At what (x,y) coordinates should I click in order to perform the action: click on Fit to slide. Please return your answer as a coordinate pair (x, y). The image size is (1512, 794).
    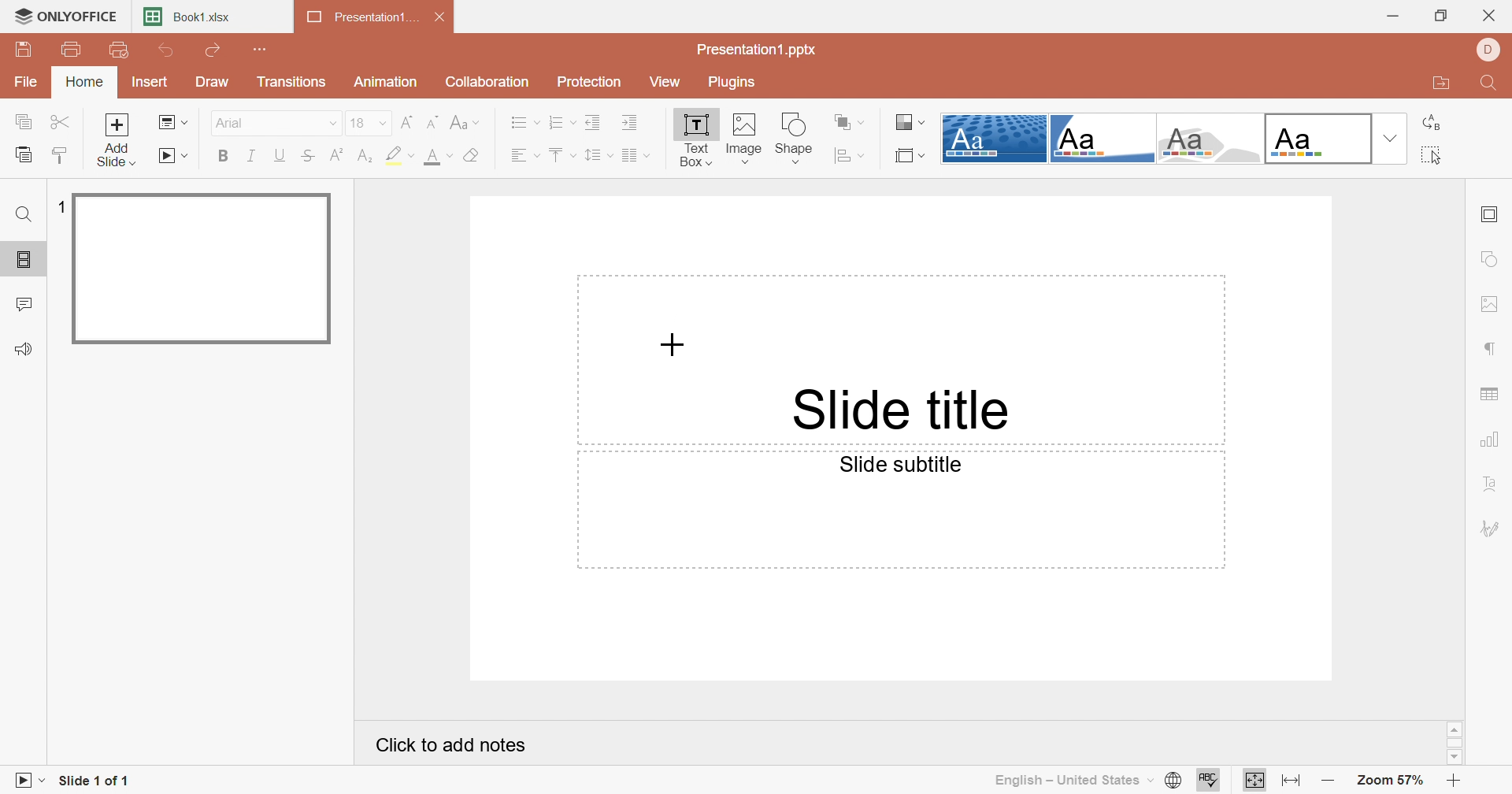
    Looking at the image, I should click on (1253, 779).